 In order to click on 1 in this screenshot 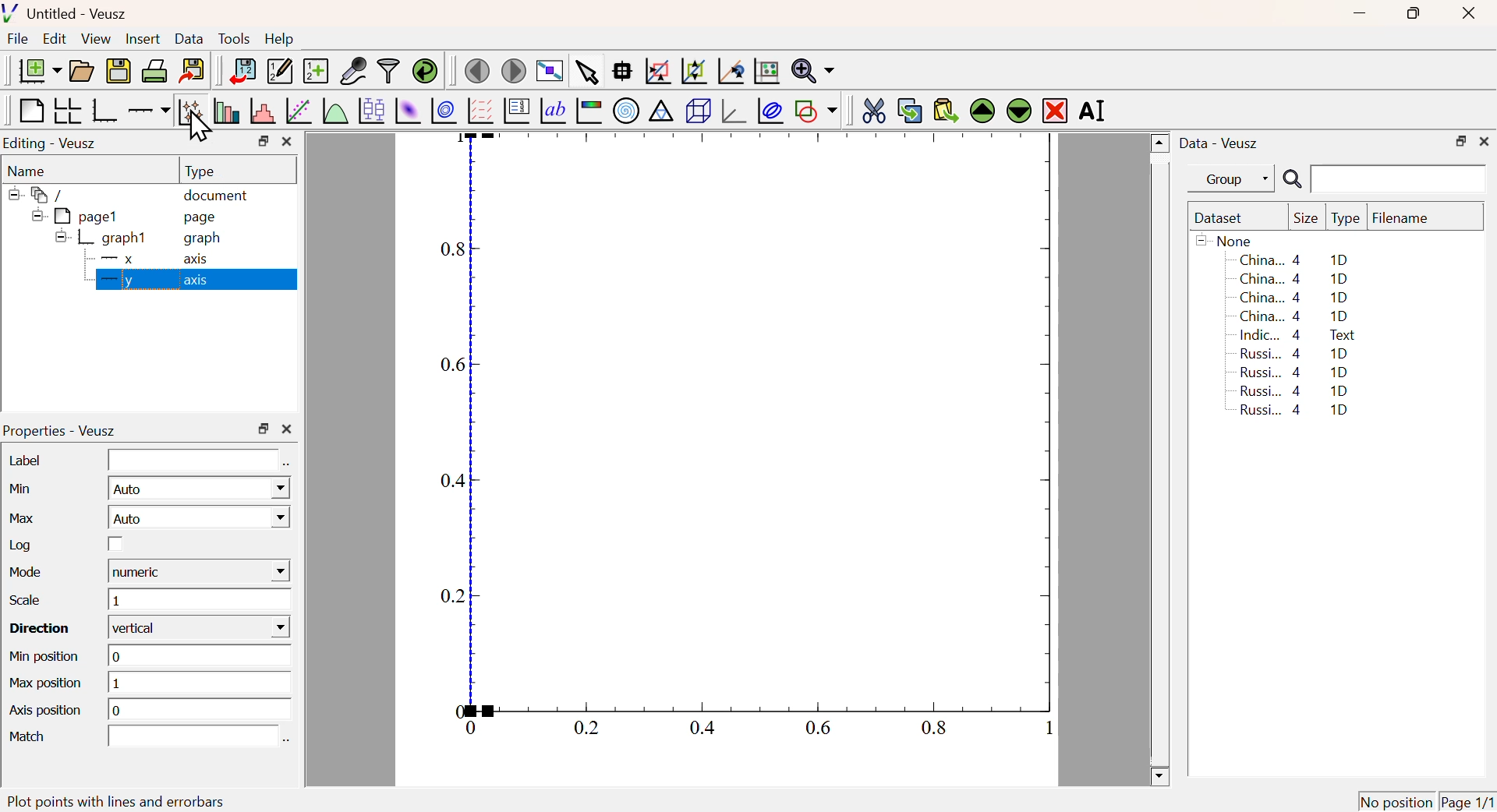, I will do `click(199, 600)`.